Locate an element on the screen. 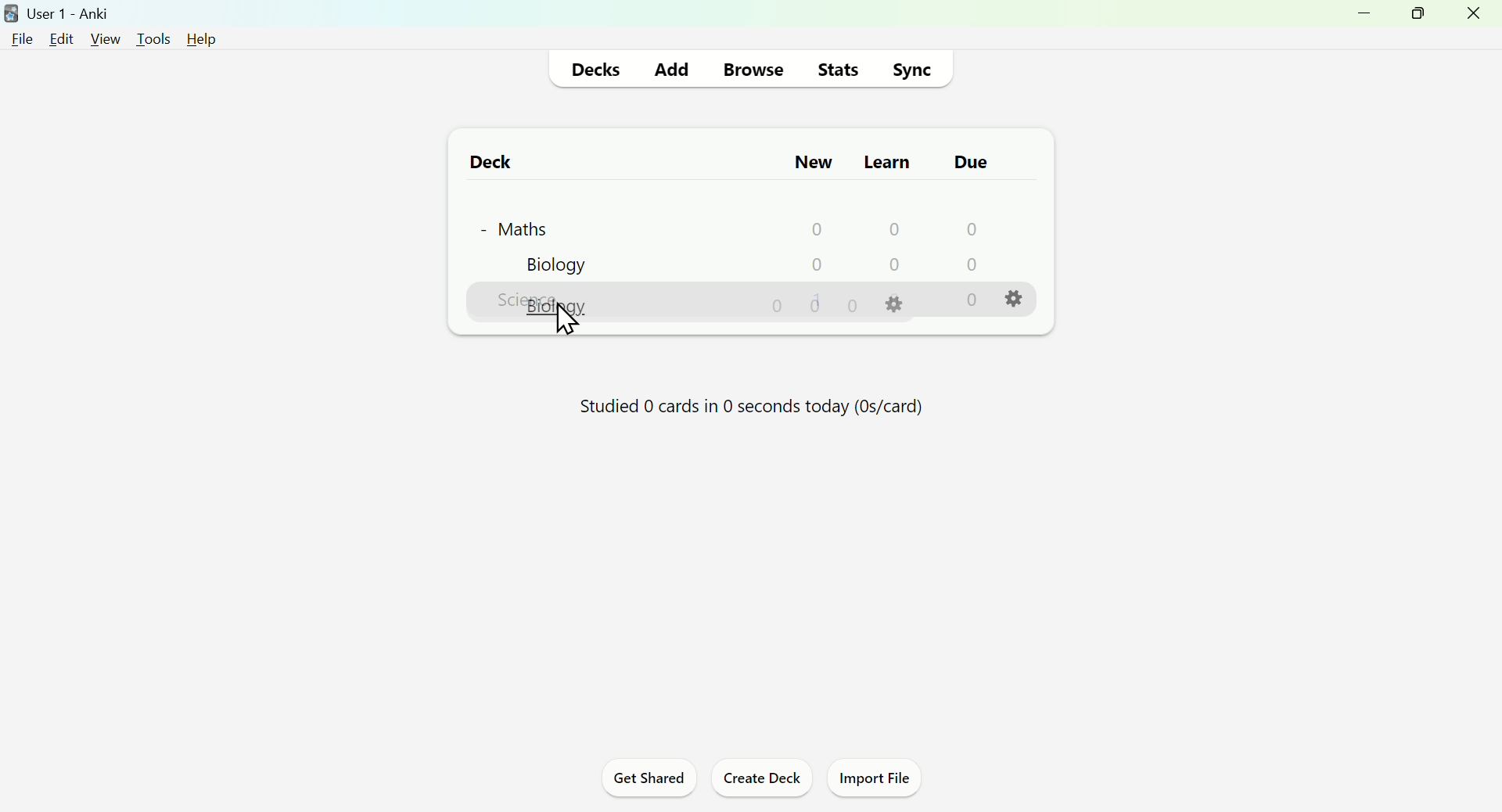  0 is located at coordinates (897, 266).